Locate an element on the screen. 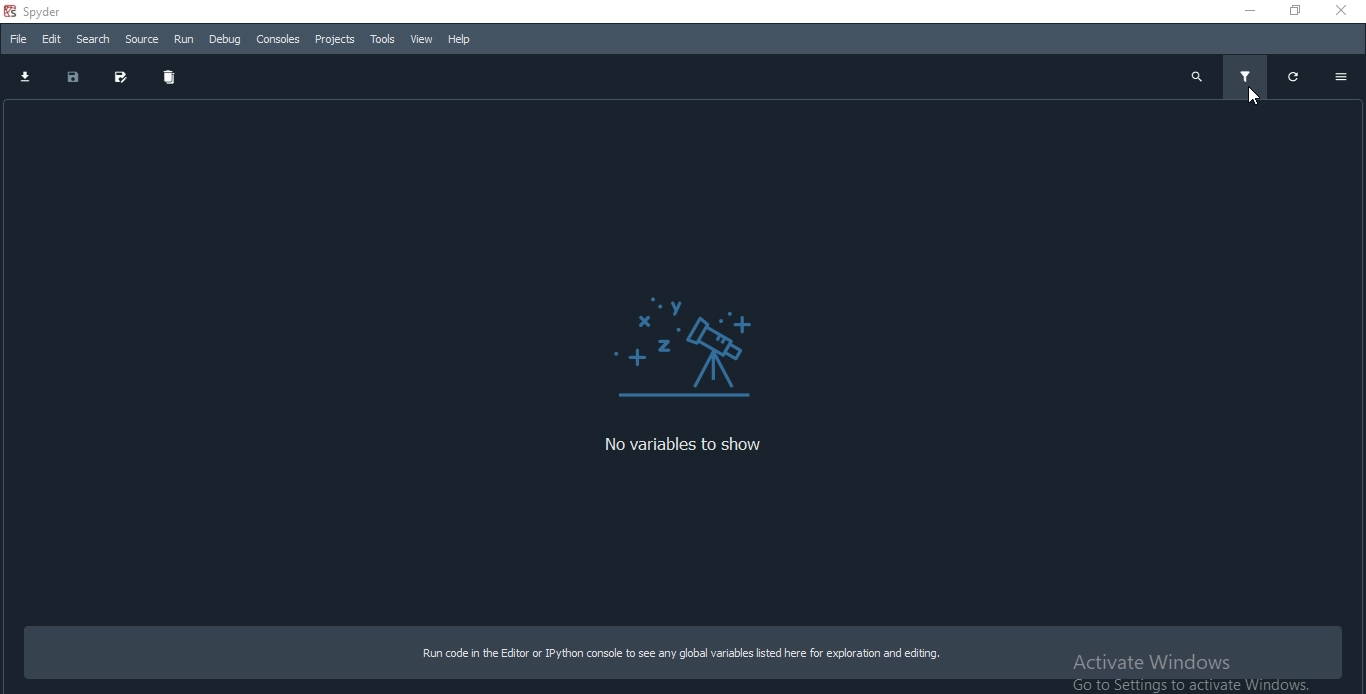  OR
+R is located at coordinates (693, 347).